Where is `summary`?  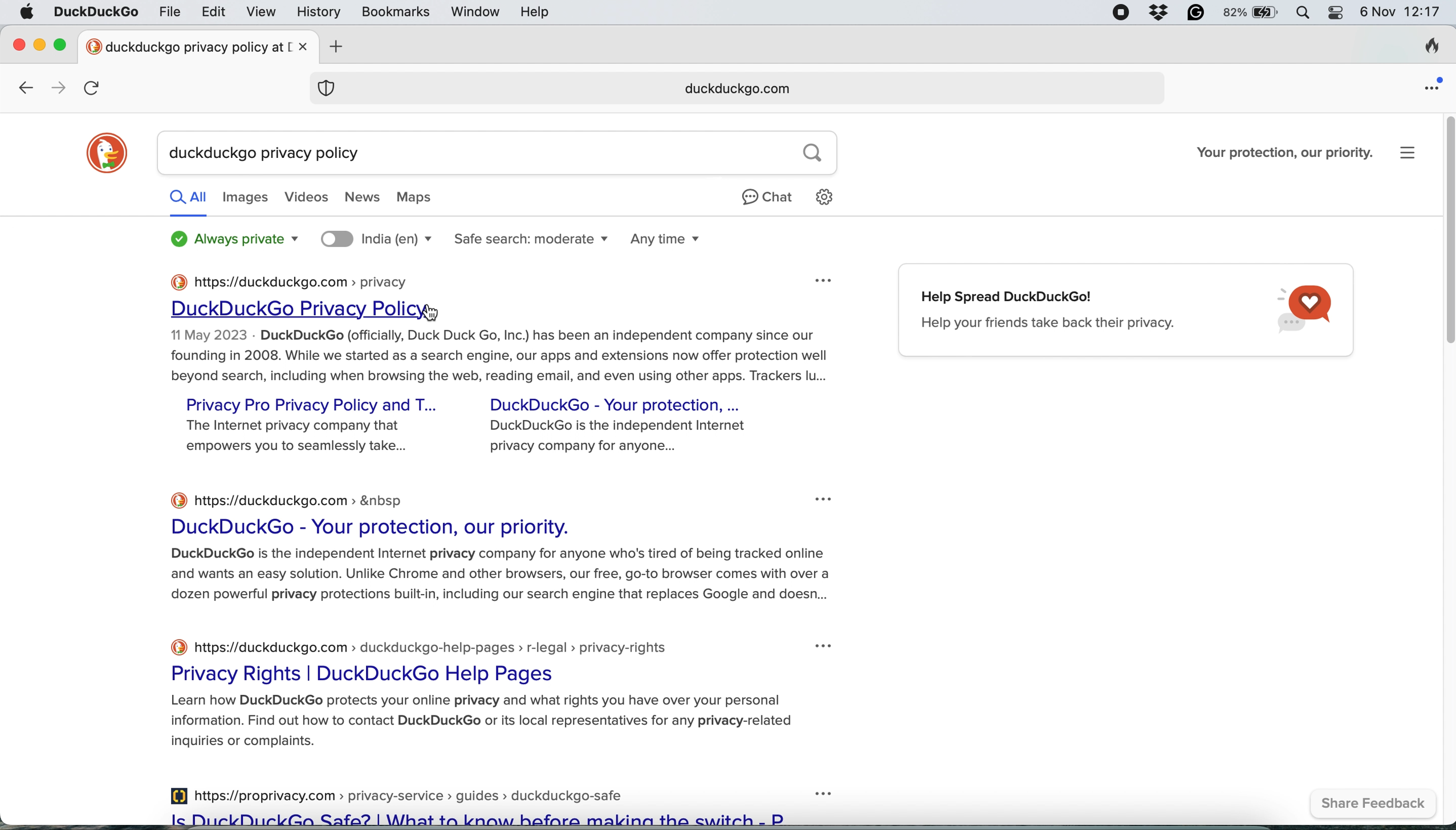 summary is located at coordinates (504, 584).